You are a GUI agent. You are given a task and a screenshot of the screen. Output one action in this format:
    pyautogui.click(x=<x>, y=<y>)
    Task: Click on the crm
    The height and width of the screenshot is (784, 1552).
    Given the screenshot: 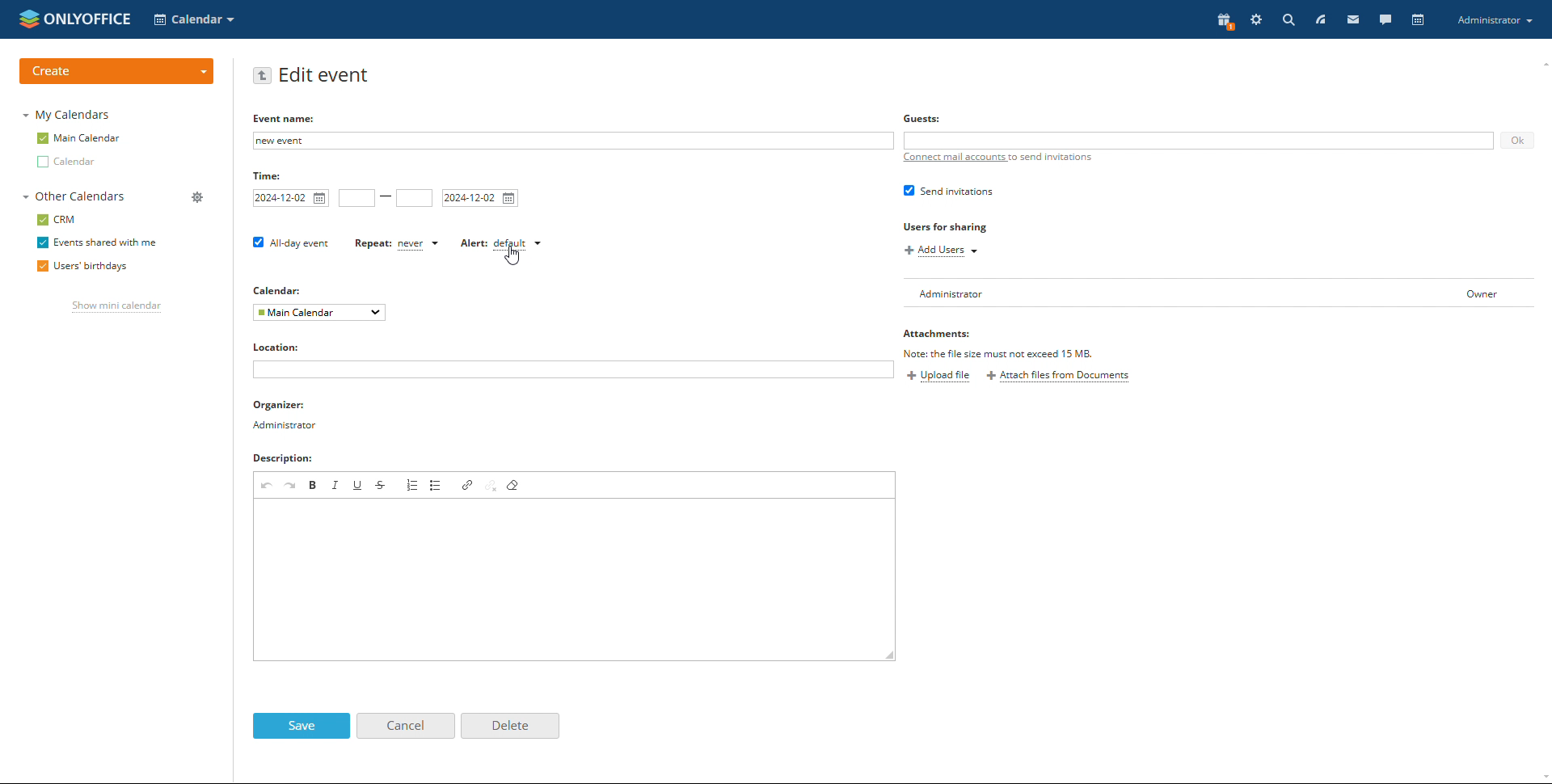 What is the action you would take?
    pyautogui.click(x=54, y=219)
    